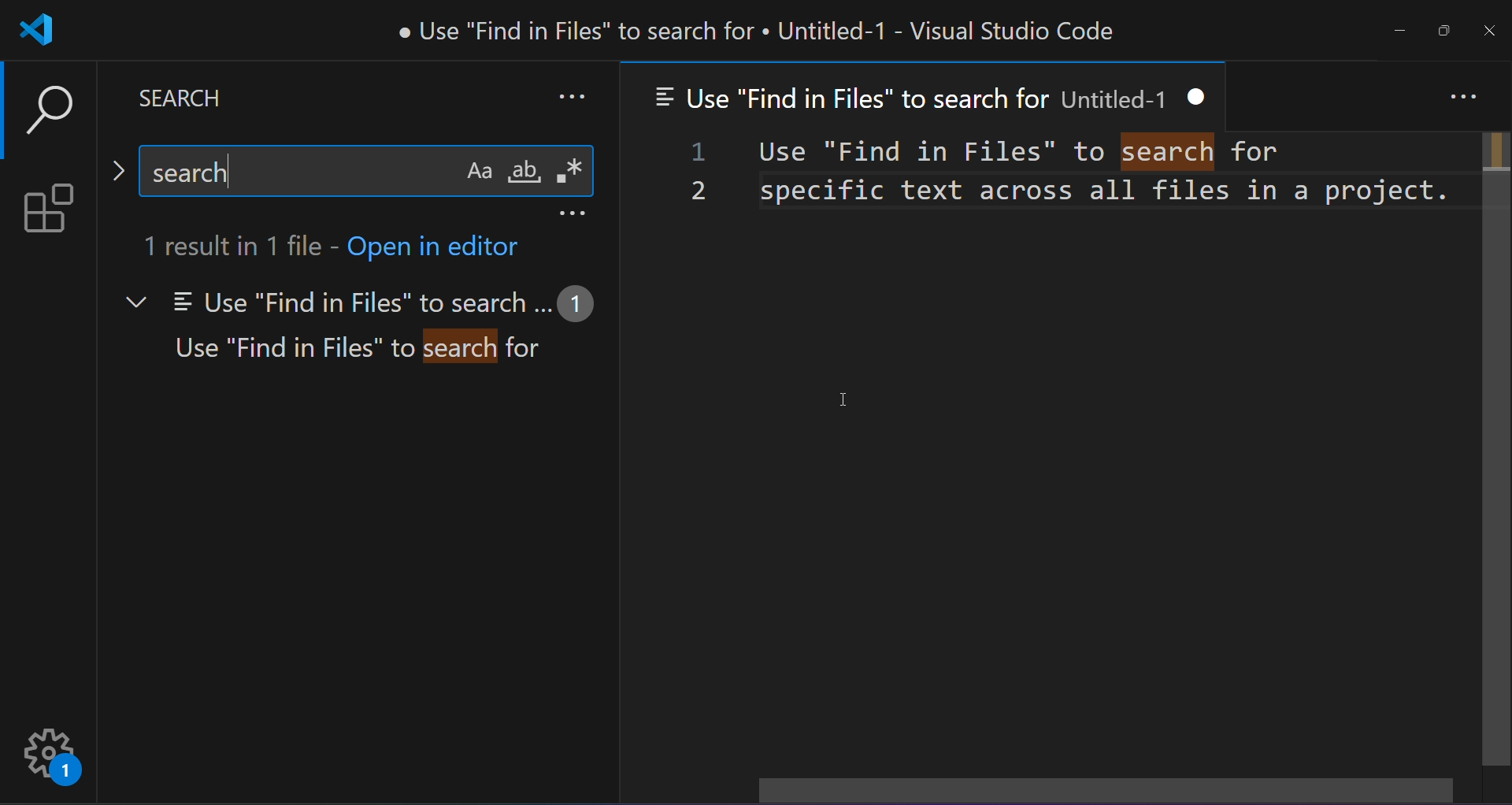 Image resolution: width=1512 pixels, height=805 pixels. I want to click on more search option, so click(570, 98).